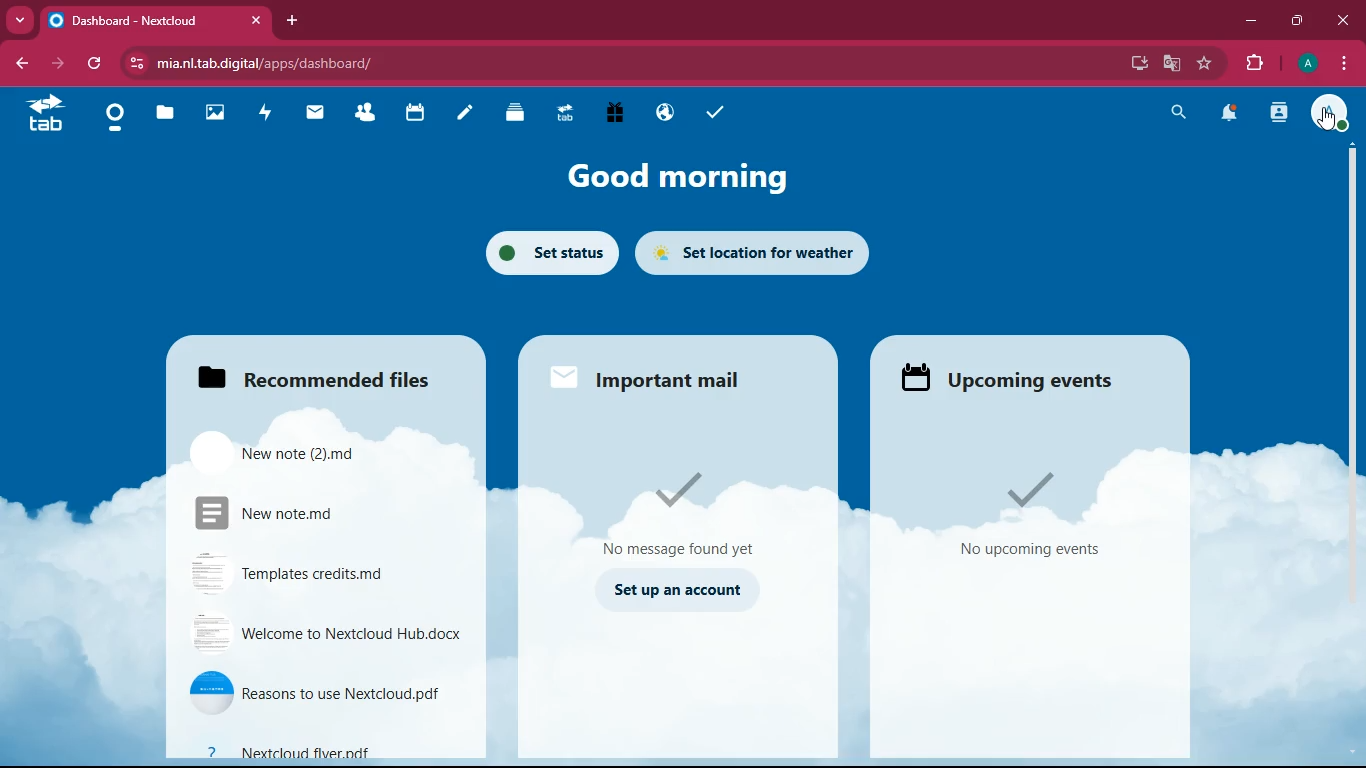 Image resolution: width=1366 pixels, height=768 pixels. What do you see at coordinates (691, 513) in the screenshot?
I see `message` at bounding box center [691, 513].